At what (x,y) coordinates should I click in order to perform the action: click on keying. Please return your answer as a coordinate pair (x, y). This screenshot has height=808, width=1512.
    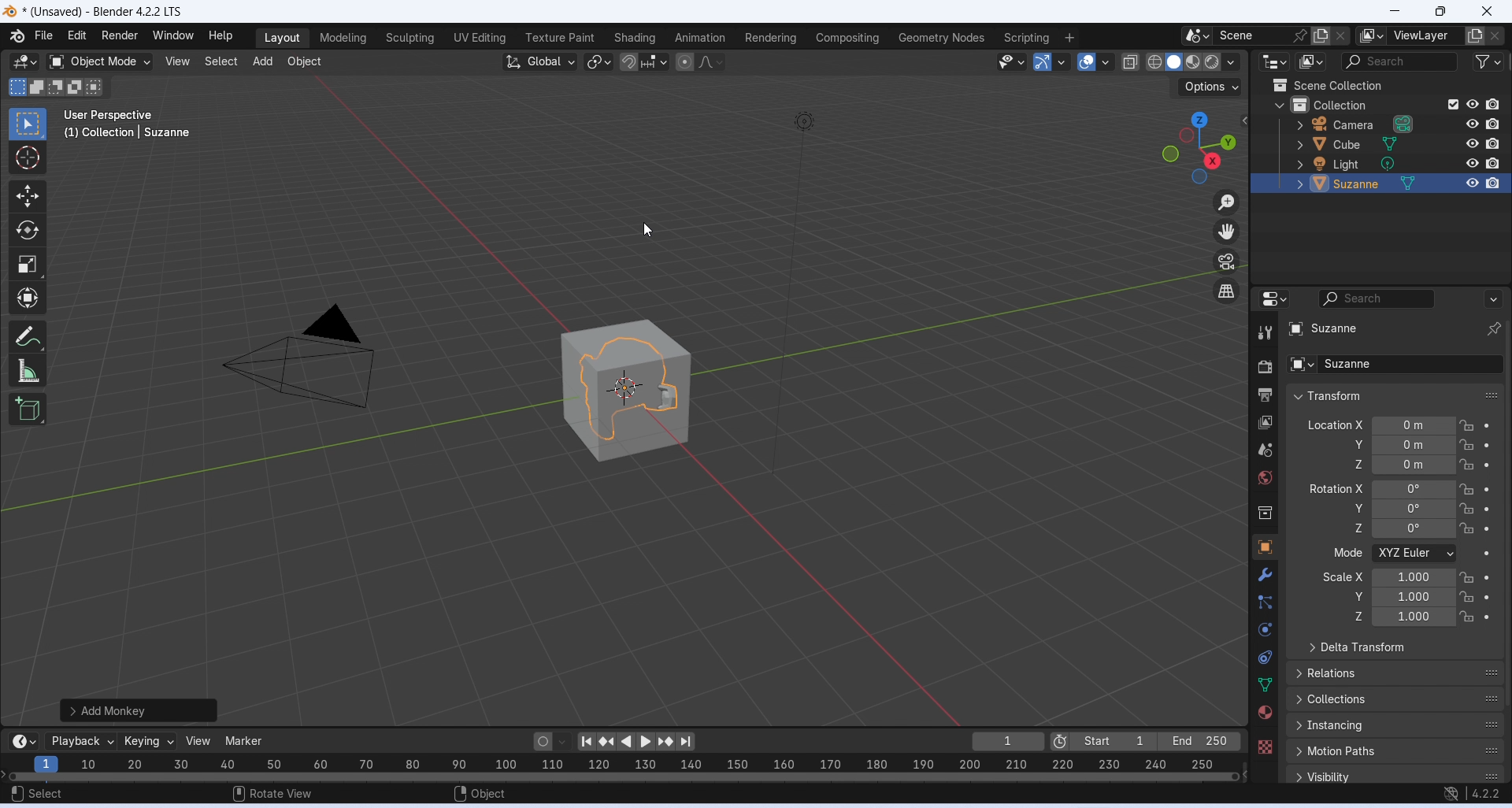
    Looking at the image, I should click on (150, 742).